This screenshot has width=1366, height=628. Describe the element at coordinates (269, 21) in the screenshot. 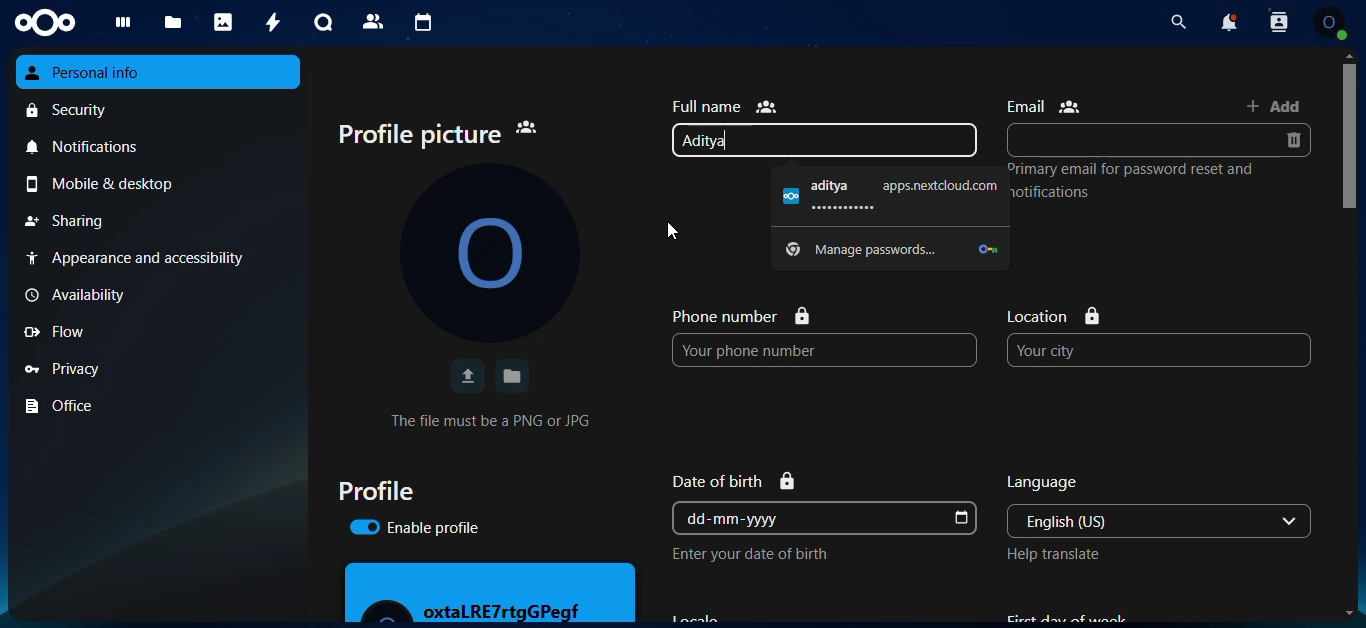

I see `activity` at that location.